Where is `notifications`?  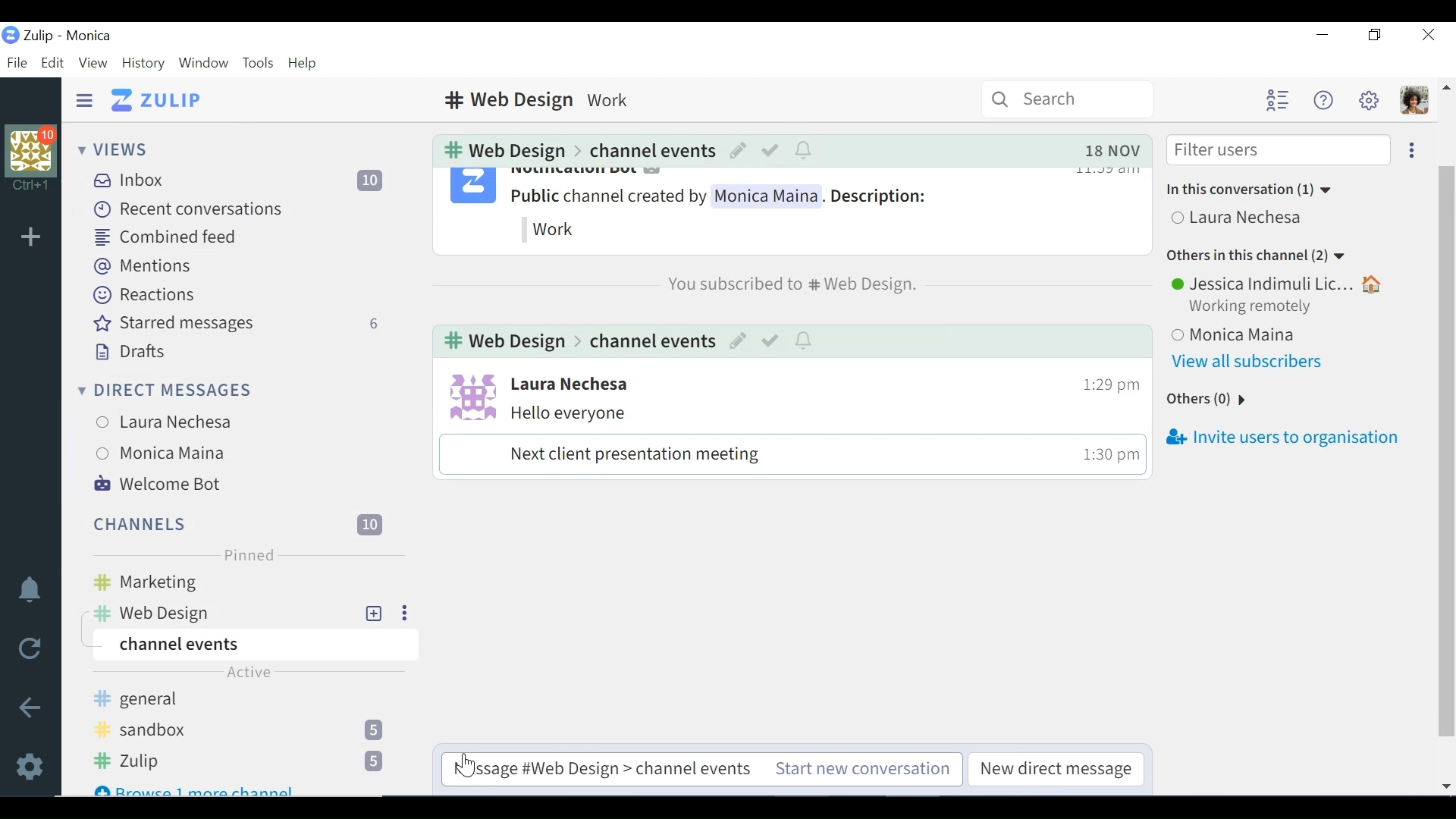 notifications is located at coordinates (30, 588).